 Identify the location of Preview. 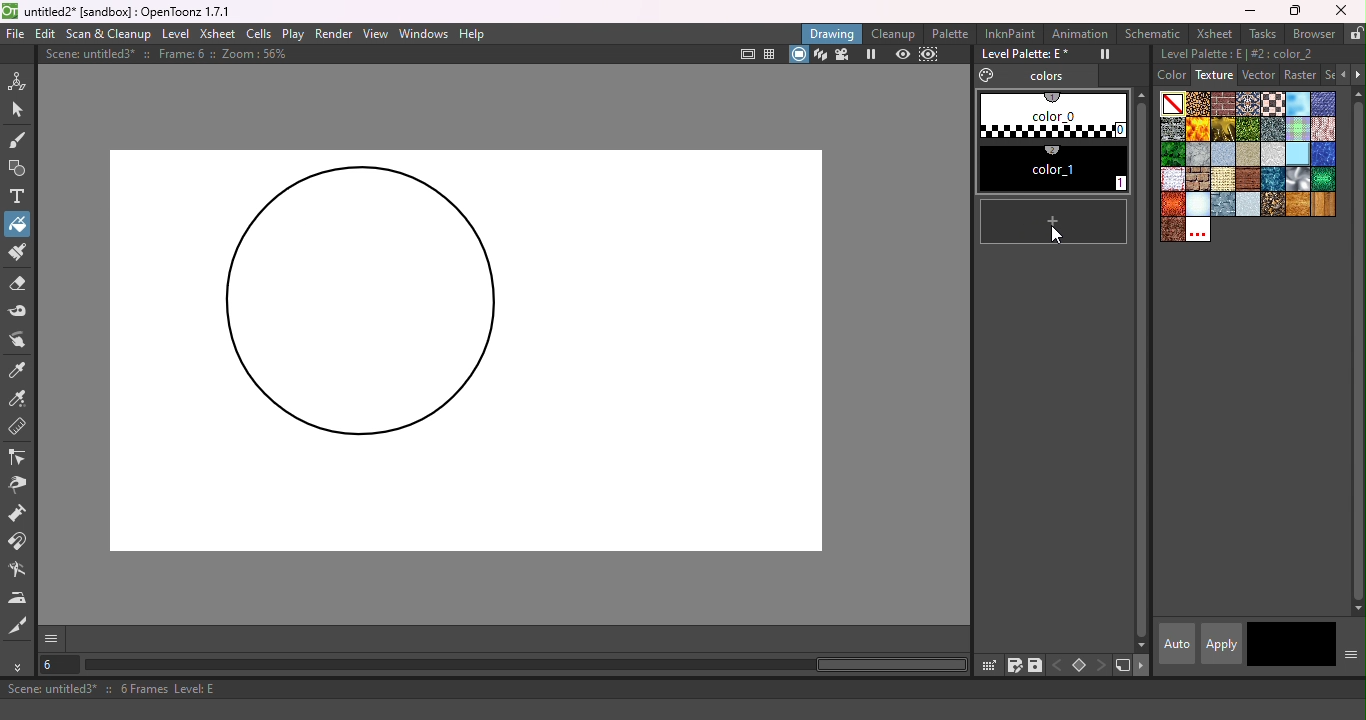
(900, 54).